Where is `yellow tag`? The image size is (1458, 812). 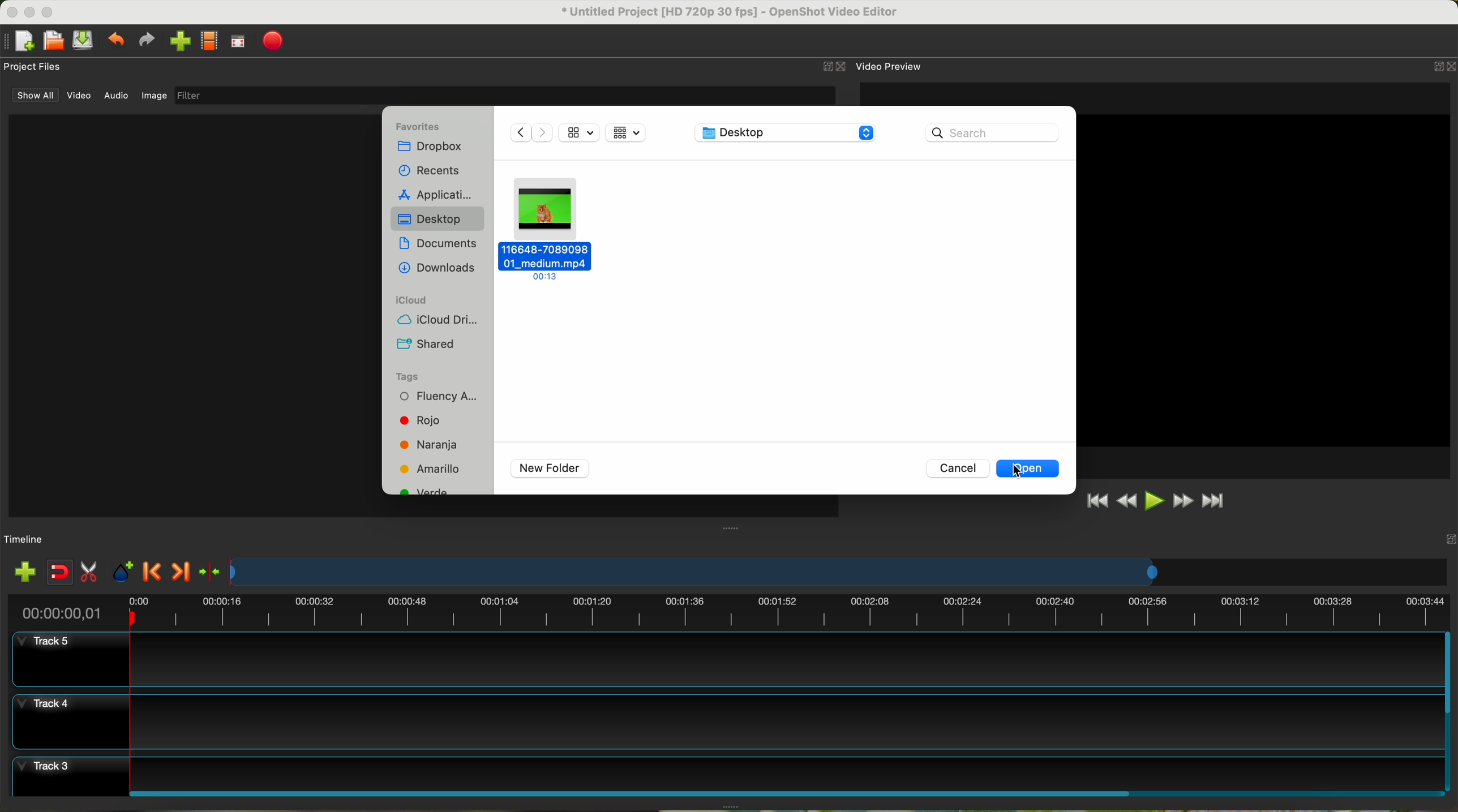 yellow tag is located at coordinates (431, 469).